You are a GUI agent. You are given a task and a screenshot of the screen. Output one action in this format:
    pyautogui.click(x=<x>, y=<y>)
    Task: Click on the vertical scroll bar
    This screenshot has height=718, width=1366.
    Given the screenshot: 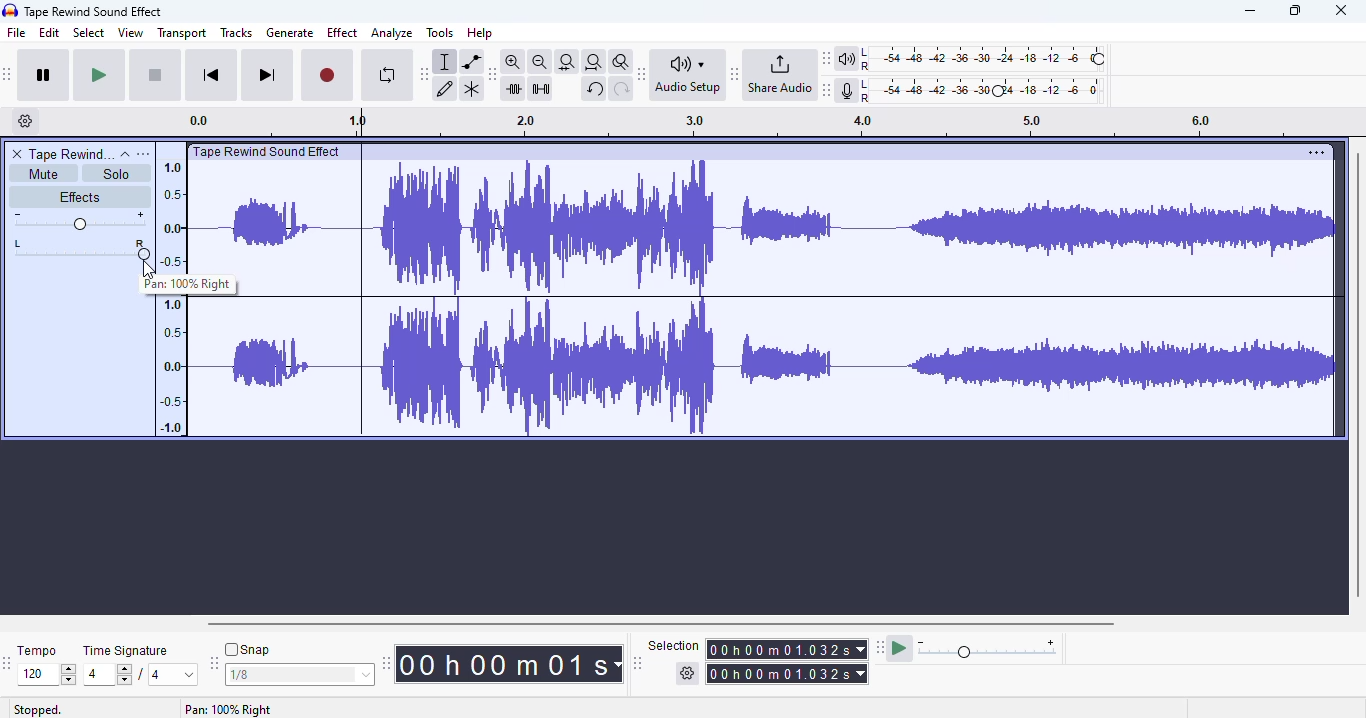 What is the action you would take?
    pyautogui.click(x=1357, y=374)
    